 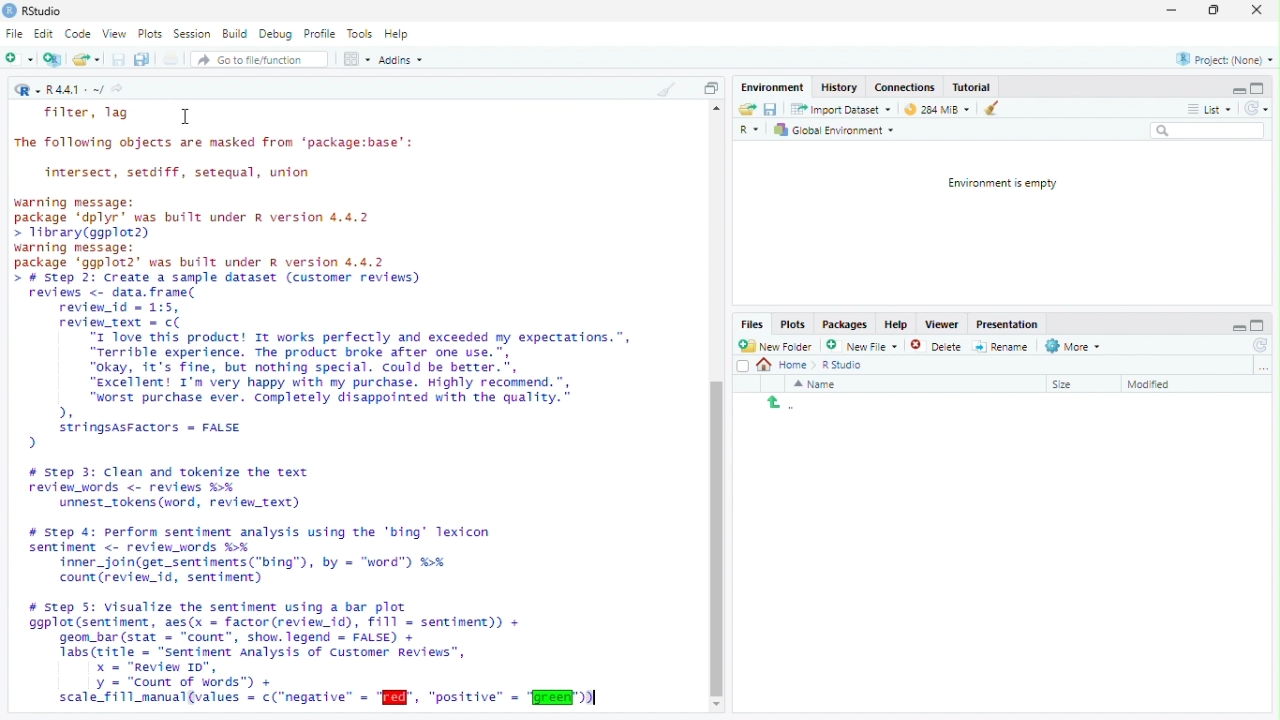 What do you see at coordinates (1259, 325) in the screenshot?
I see `Maximize` at bounding box center [1259, 325].